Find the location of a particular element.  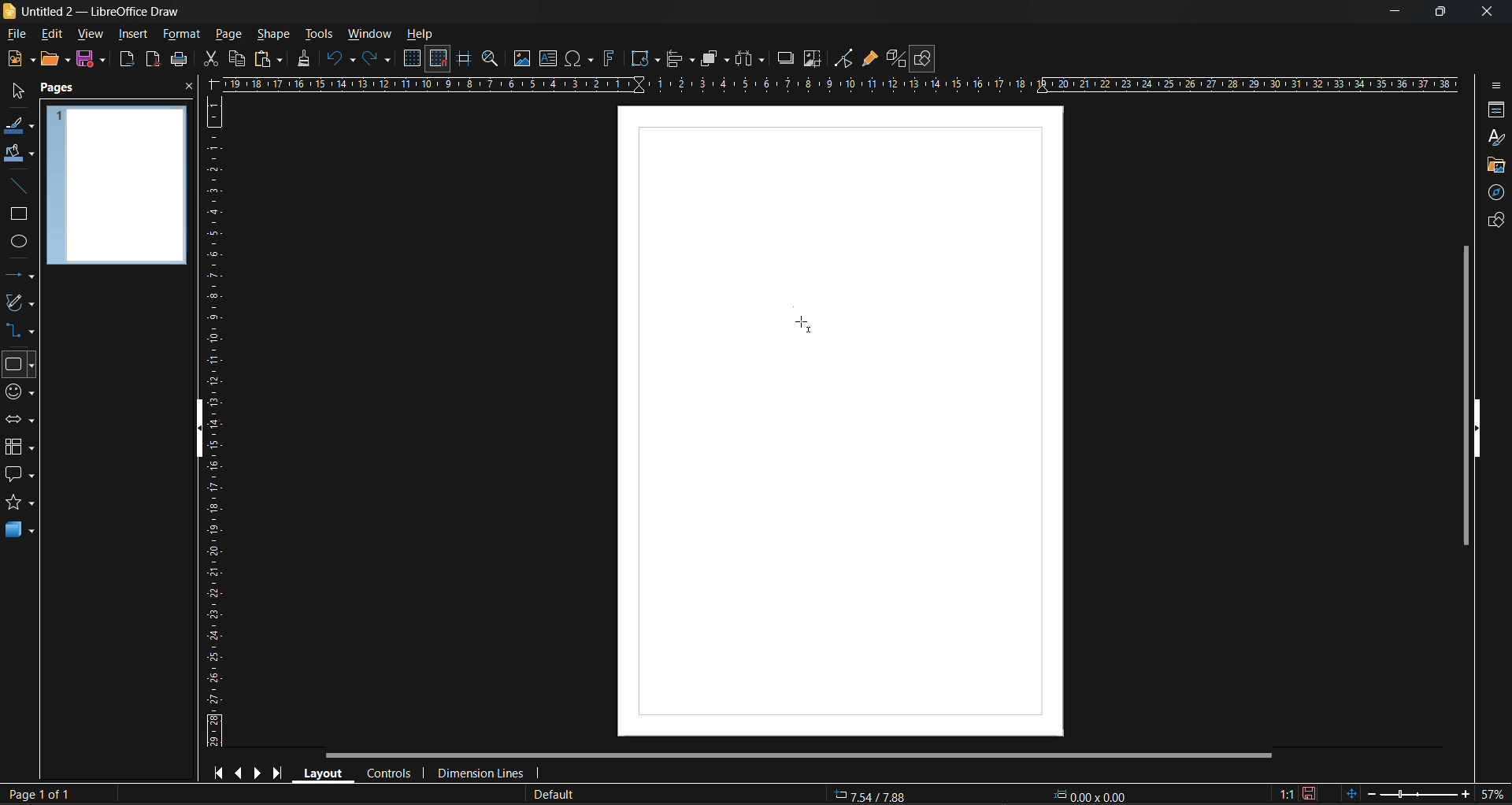

page preview is located at coordinates (117, 185).